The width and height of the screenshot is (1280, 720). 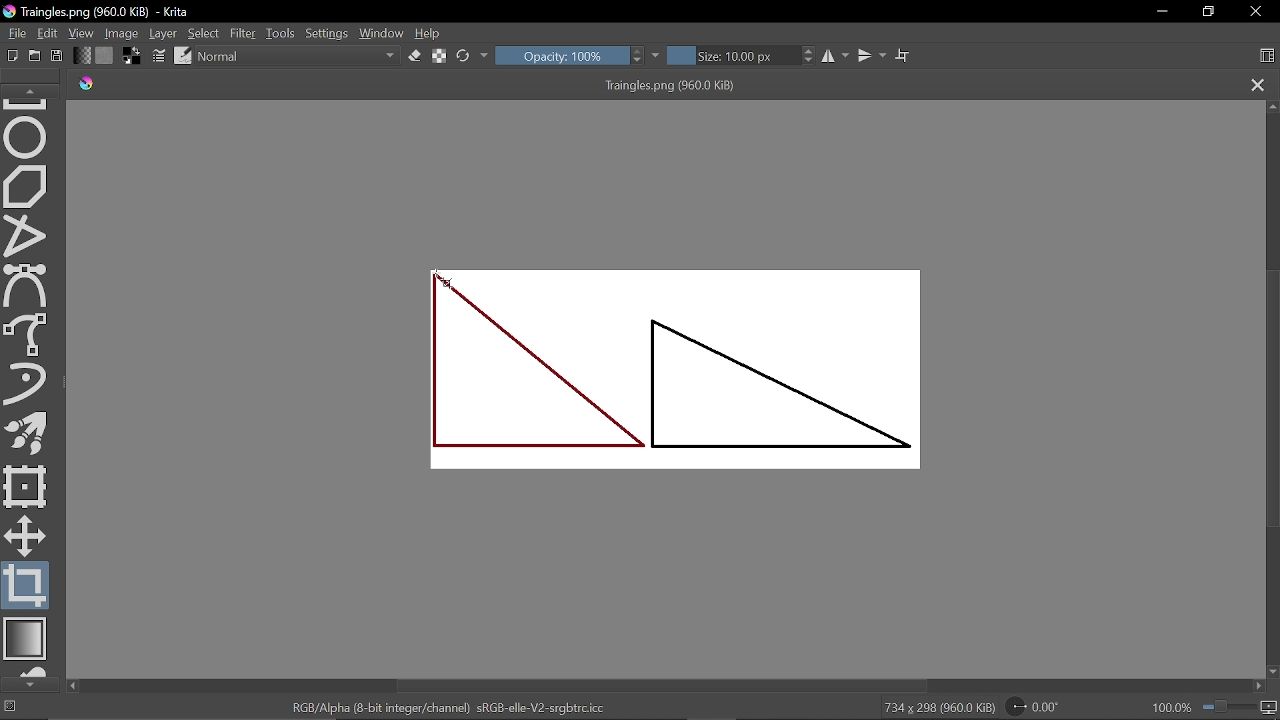 I want to click on Save, so click(x=58, y=56).